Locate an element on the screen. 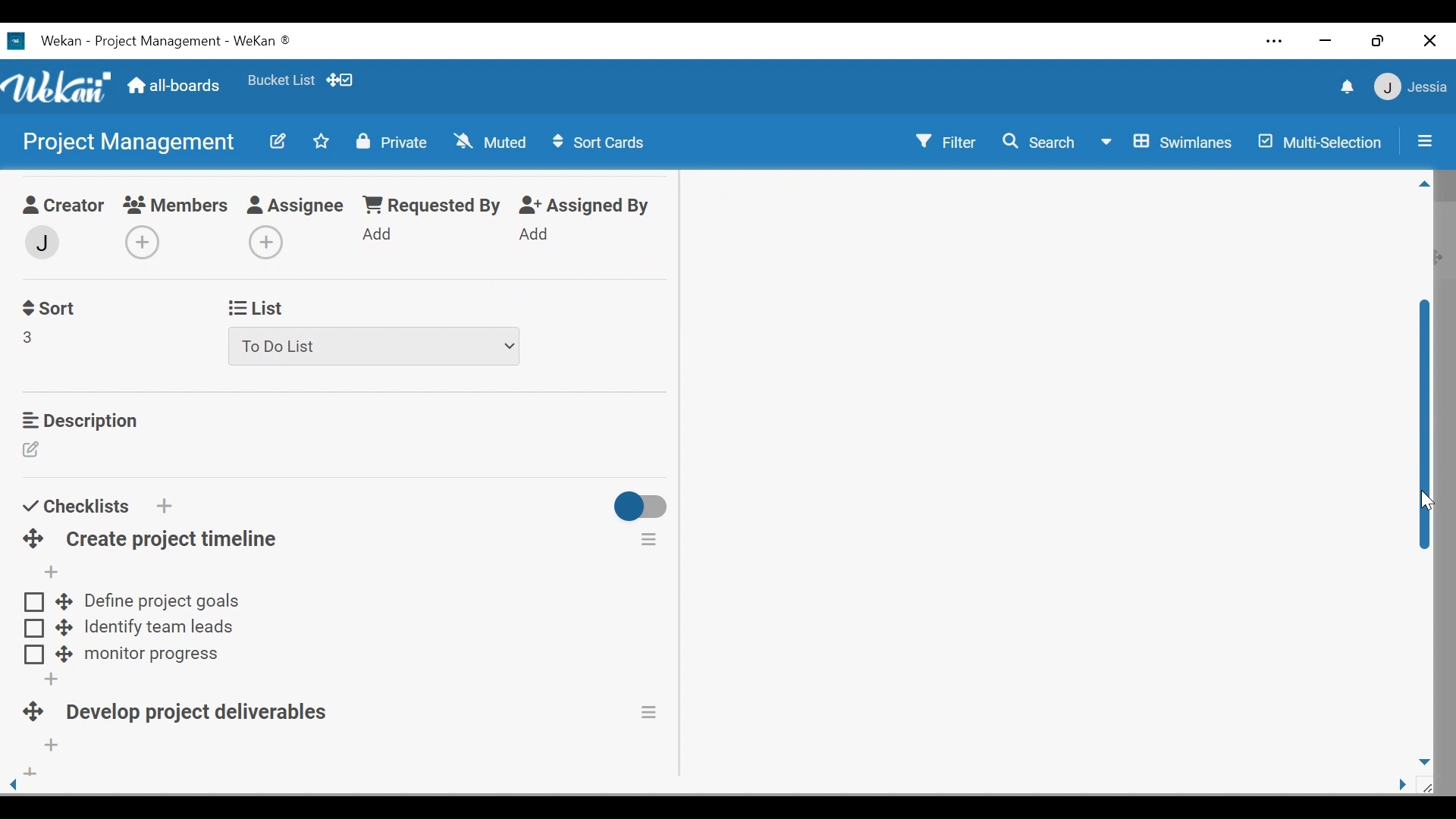 The height and width of the screenshot is (819, 1456). Checklist name is located at coordinates (203, 715).